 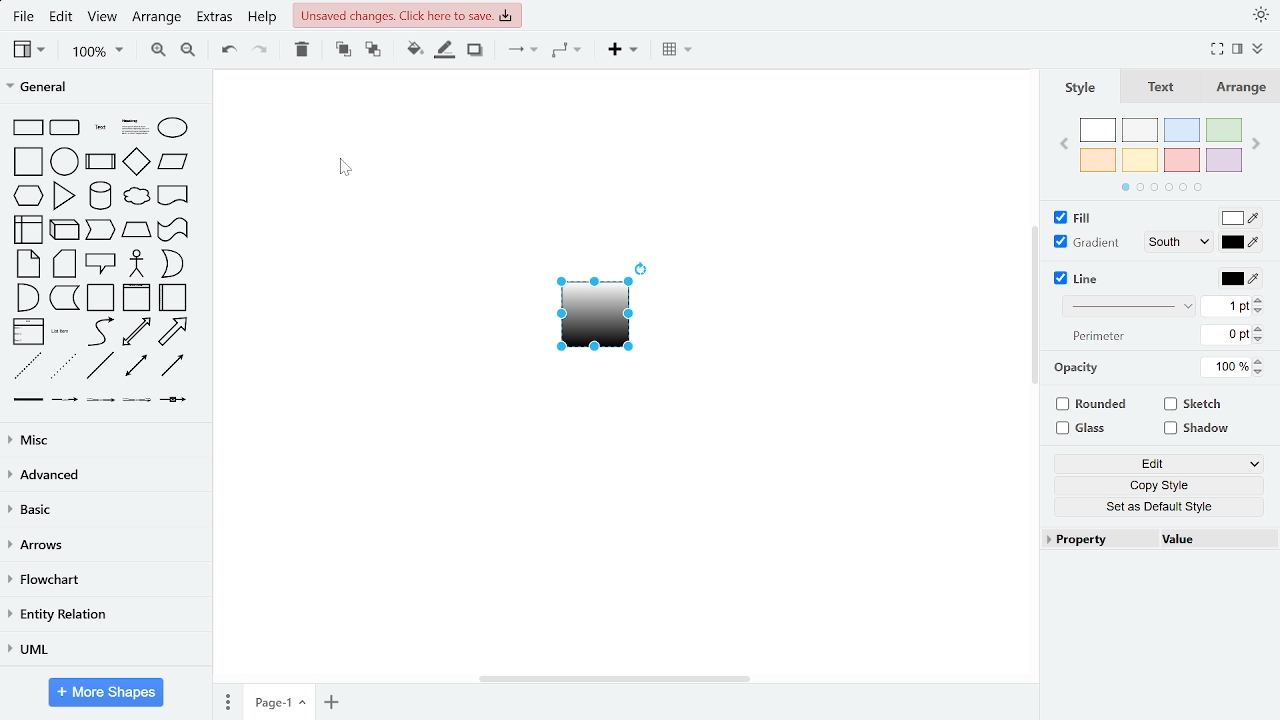 What do you see at coordinates (63, 330) in the screenshot?
I see `general shapes` at bounding box center [63, 330].